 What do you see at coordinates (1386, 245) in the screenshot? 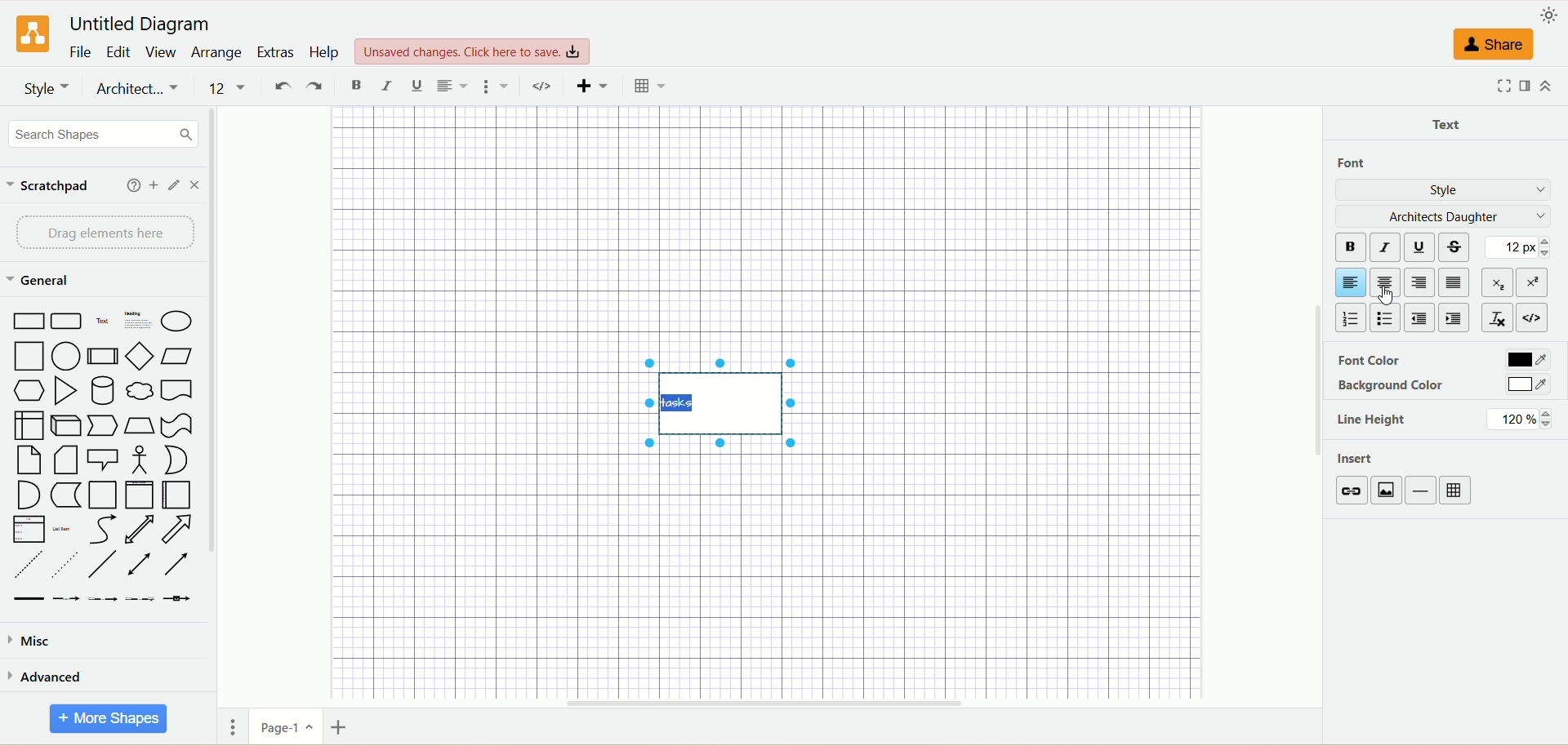
I see `italics` at bounding box center [1386, 245].